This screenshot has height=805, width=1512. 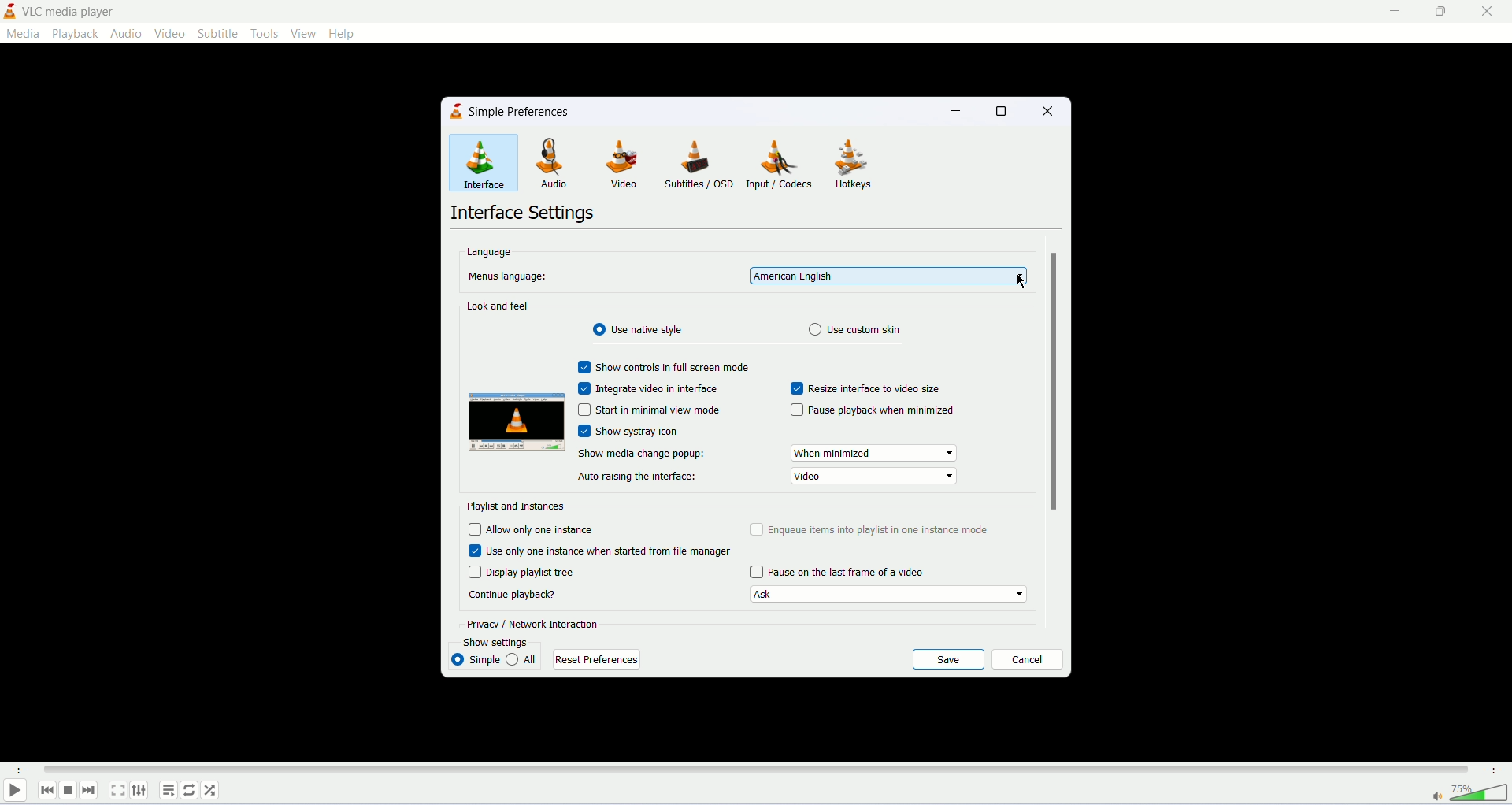 What do you see at coordinates (872, 409) in the screenshot?
I see `pause playback when minimized` at bounding box center [872, 409].